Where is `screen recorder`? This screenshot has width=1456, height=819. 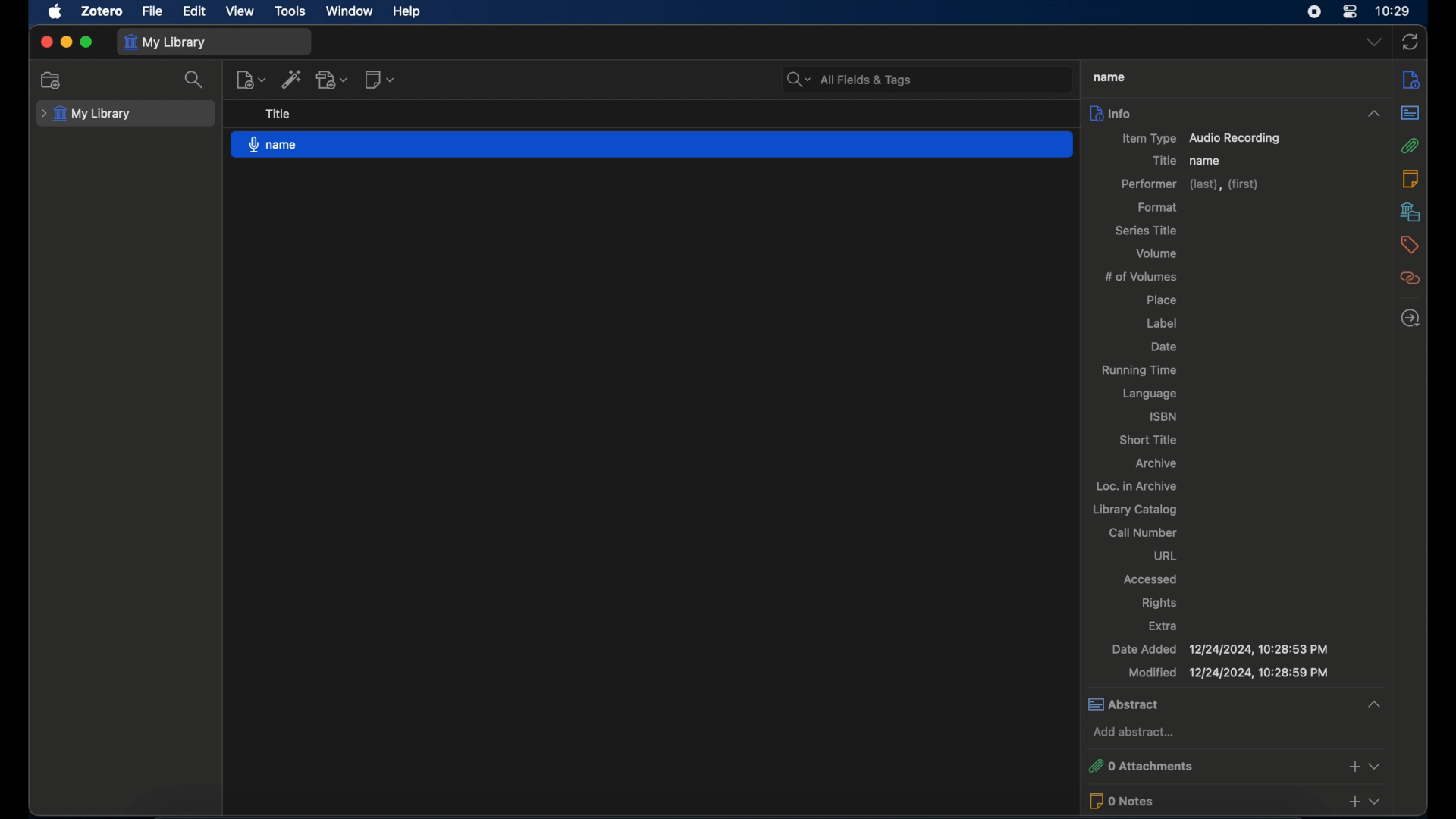
screen recorder is located at coordinates (1314, 11).